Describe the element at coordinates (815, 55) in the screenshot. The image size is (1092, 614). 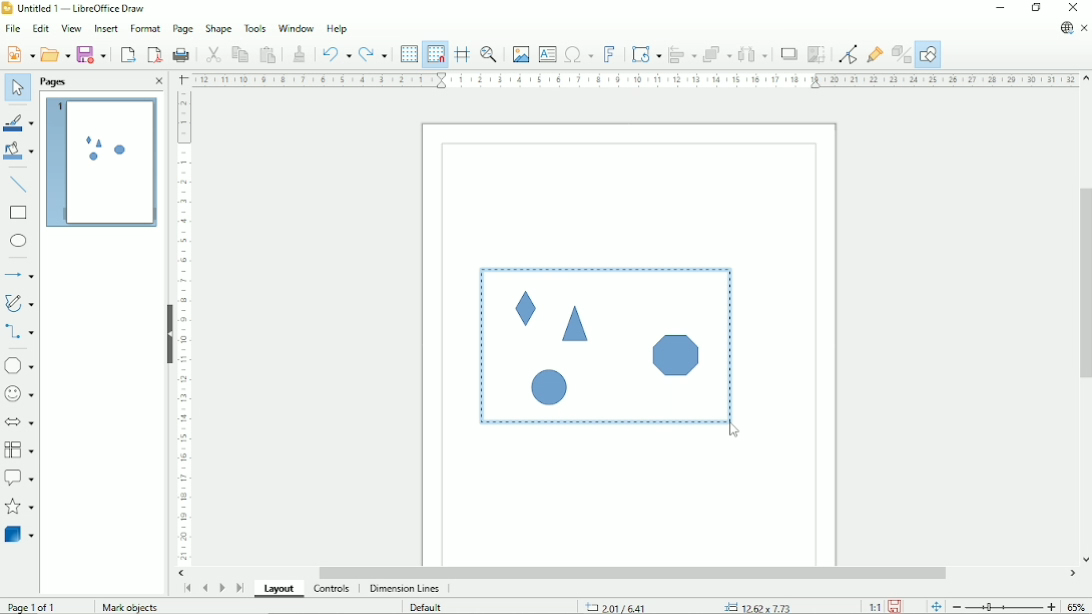
I see `Crop image` at that location.